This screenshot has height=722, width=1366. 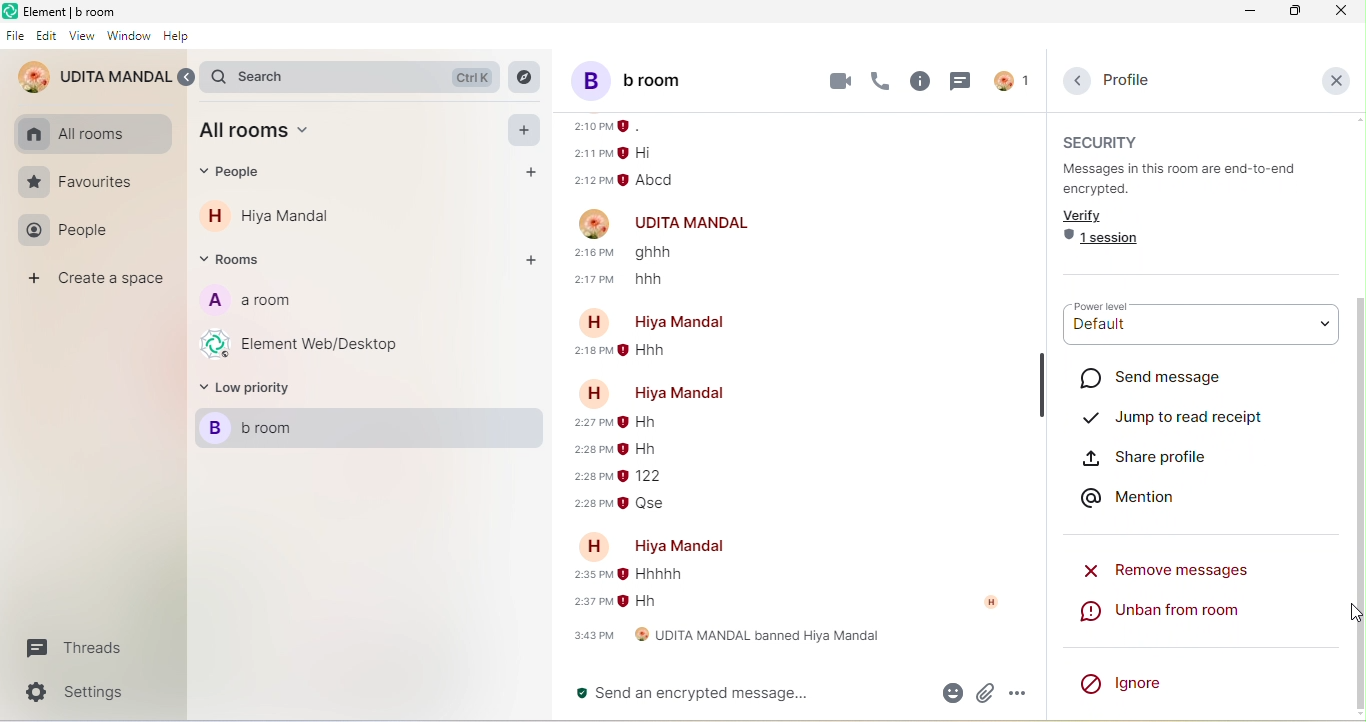 I want to click on hide, so click(x=1042, y=383).